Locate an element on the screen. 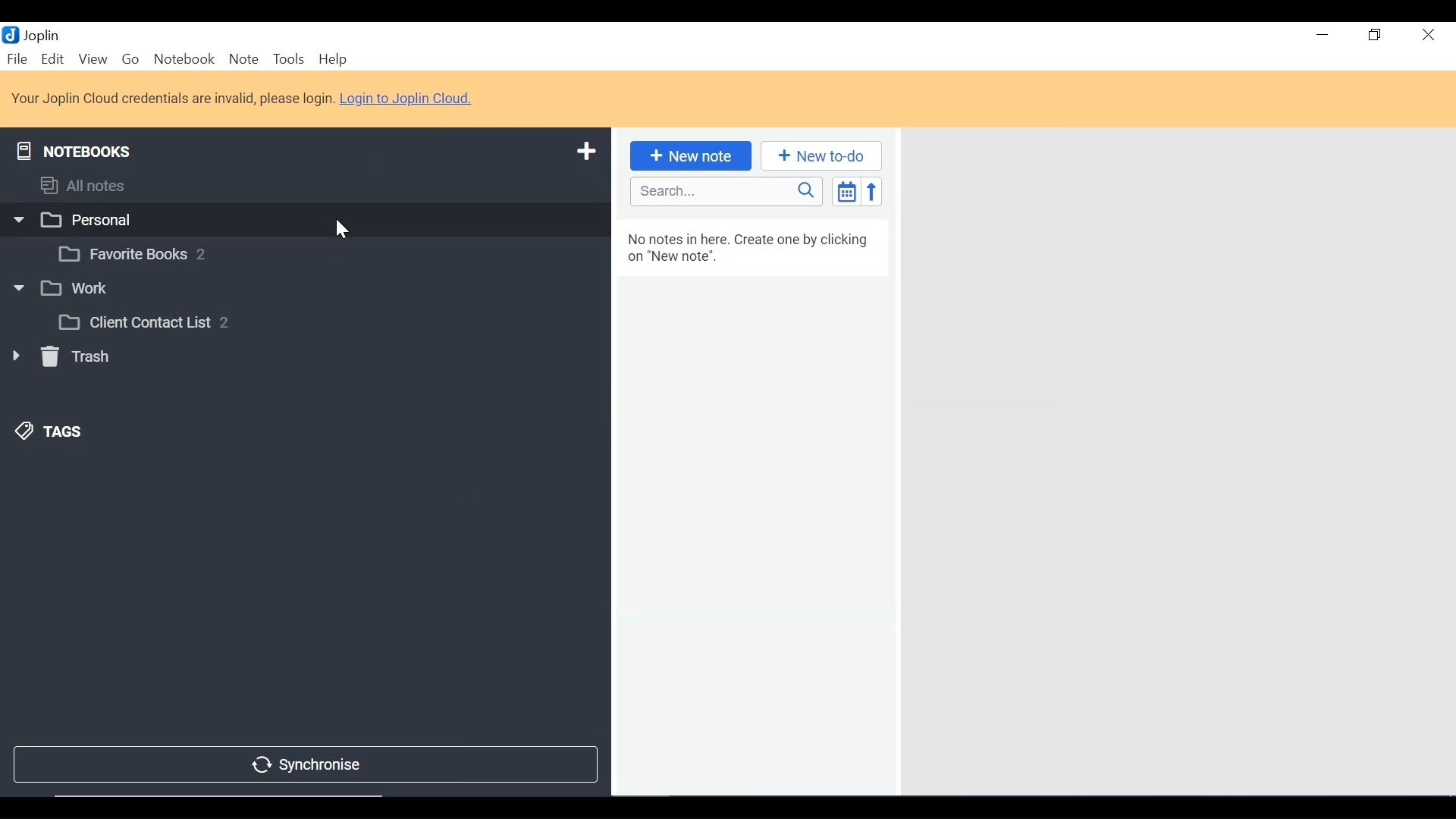 The height and width of the screenshot is (819, 1456). Notebook is located at coordinates (184, 60).